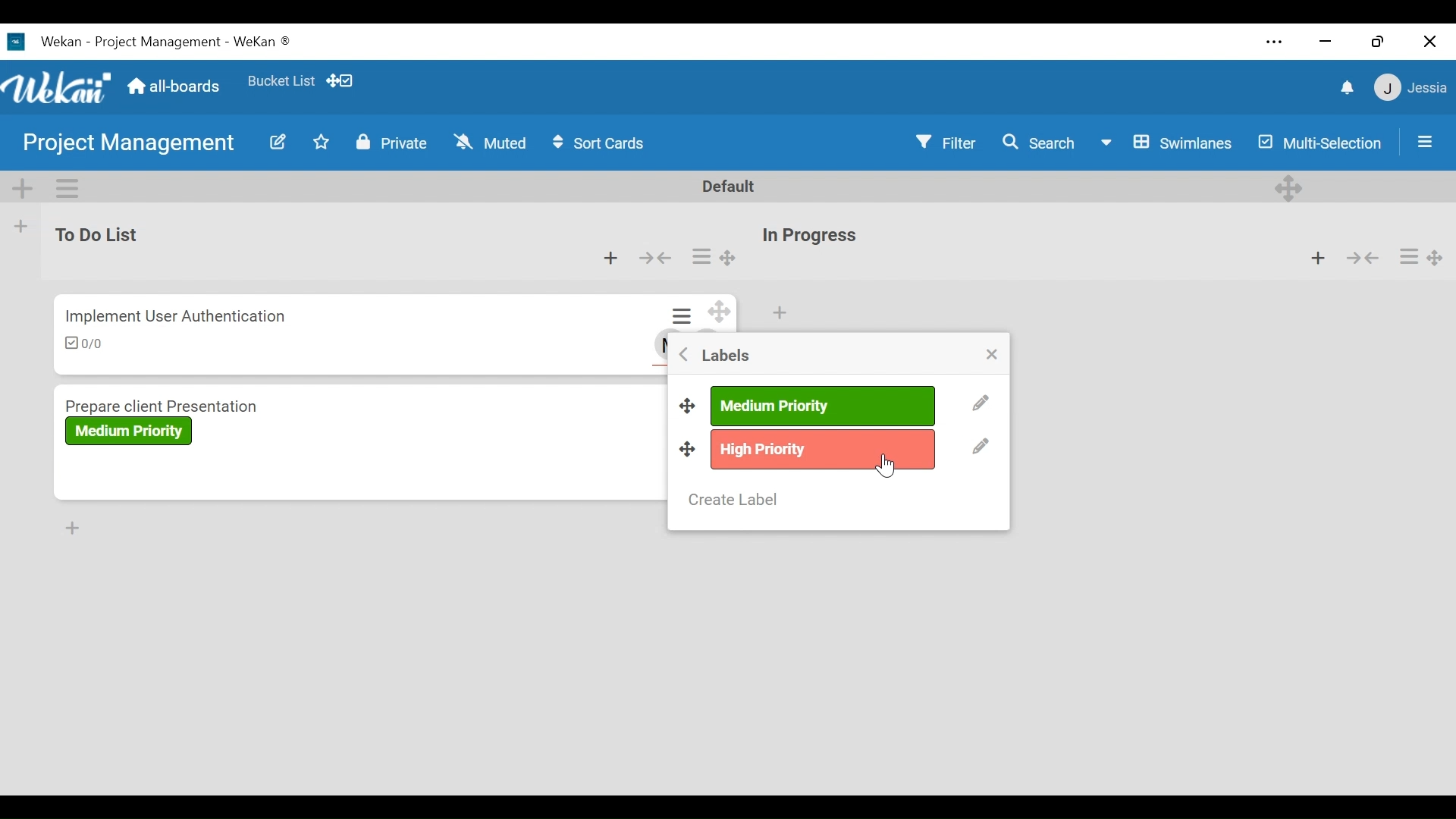 The width and height of the screenshot is (1456, 819). I want to click on Edit, so click(981, 448).